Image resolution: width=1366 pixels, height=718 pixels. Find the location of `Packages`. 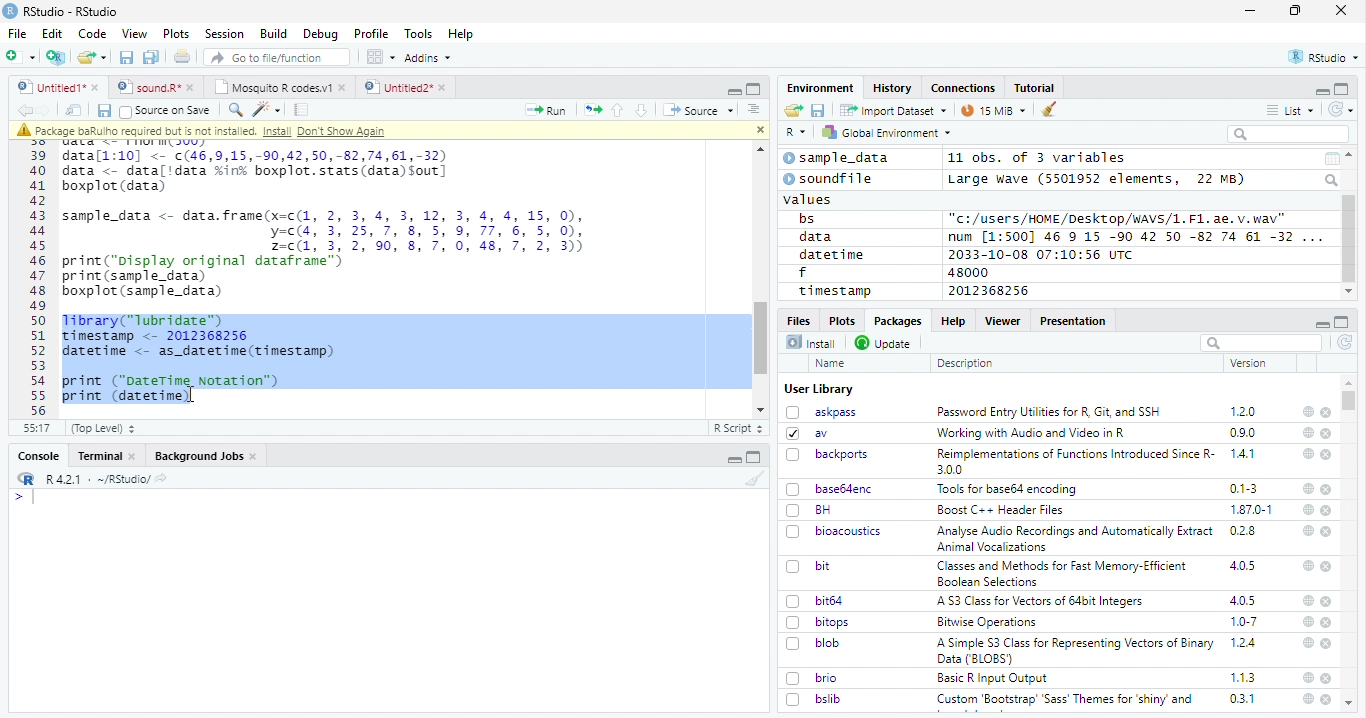

Packages is located at coordinates (896, 321).